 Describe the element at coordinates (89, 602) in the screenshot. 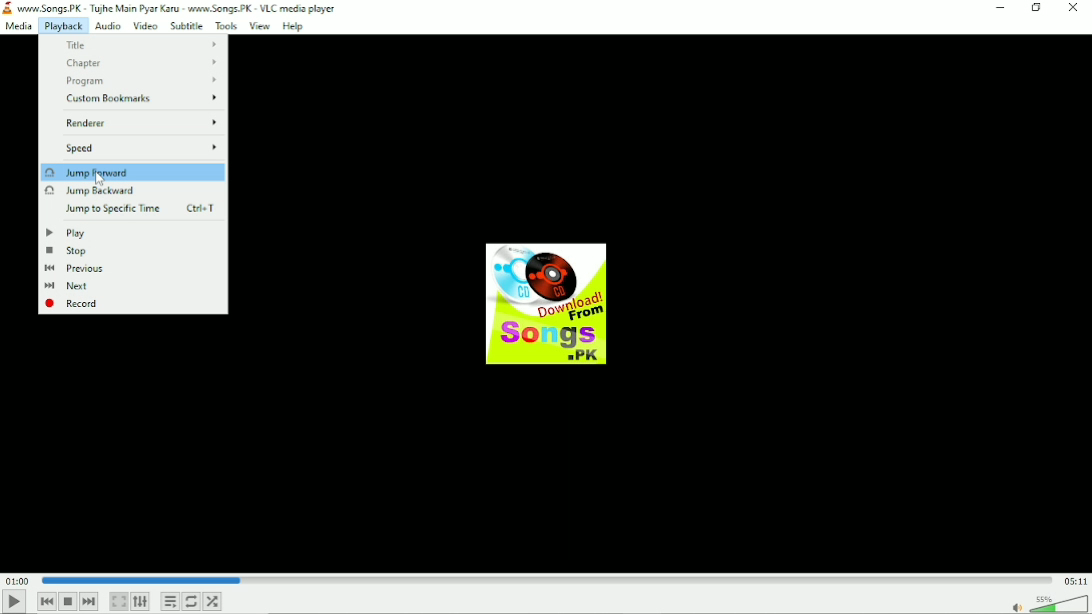

I see `Next` at that location.